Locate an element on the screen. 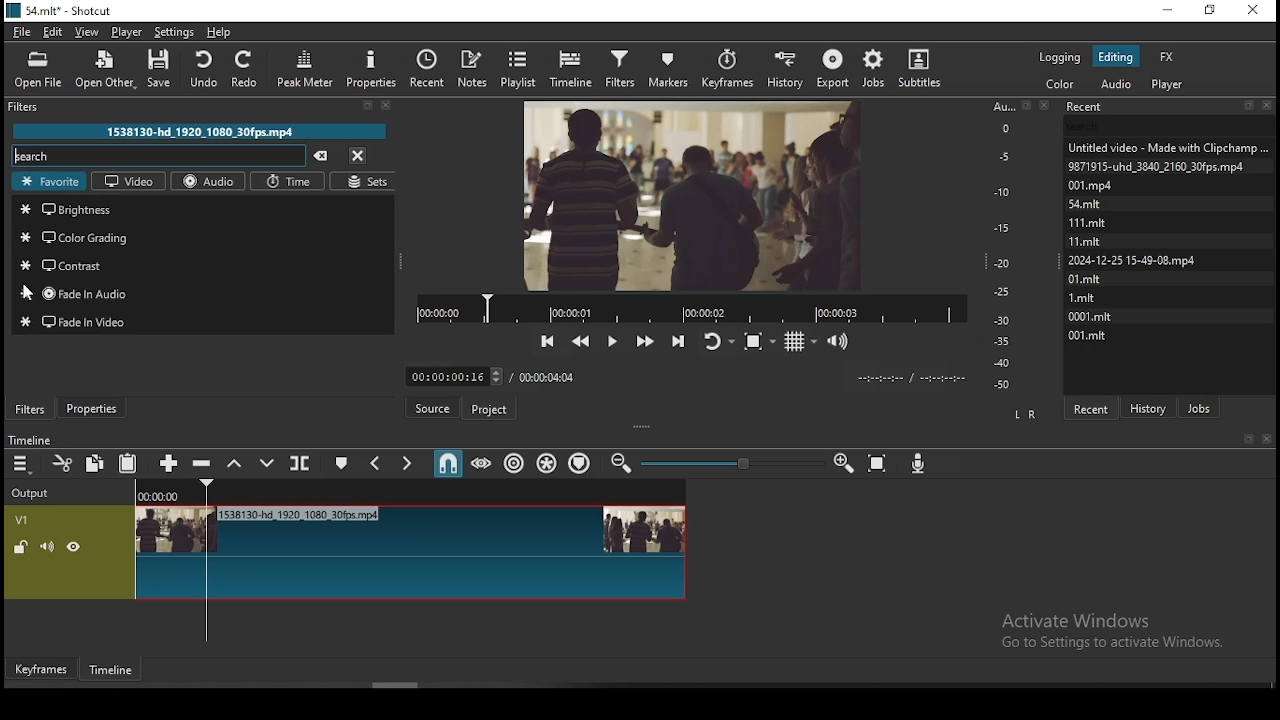 The width and height of the screenshot is (1280, 720). Outpur is located at coordinates (35, 493).